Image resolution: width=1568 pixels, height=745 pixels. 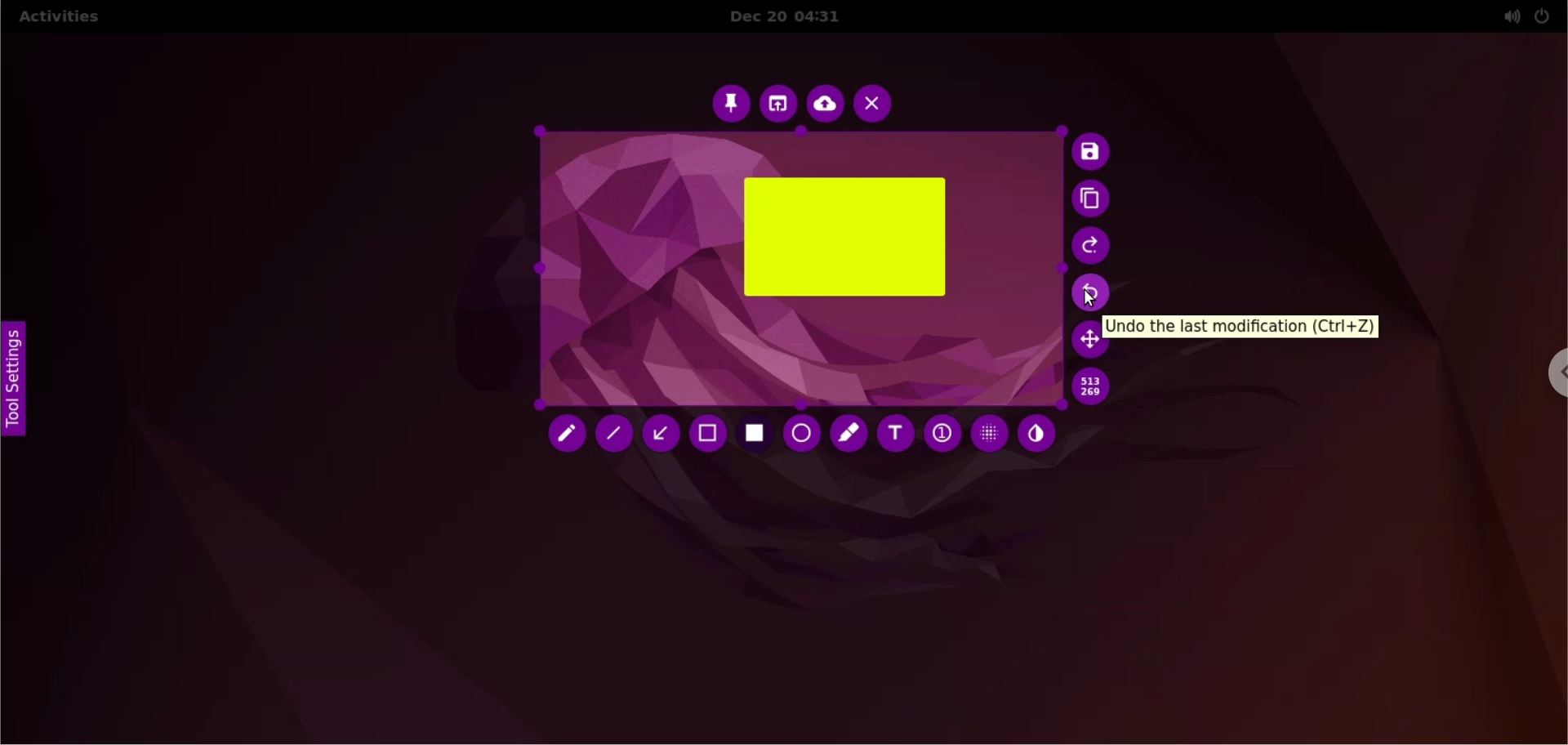 I want to click on choose app to open screenshot, so click(x=777, y=102).